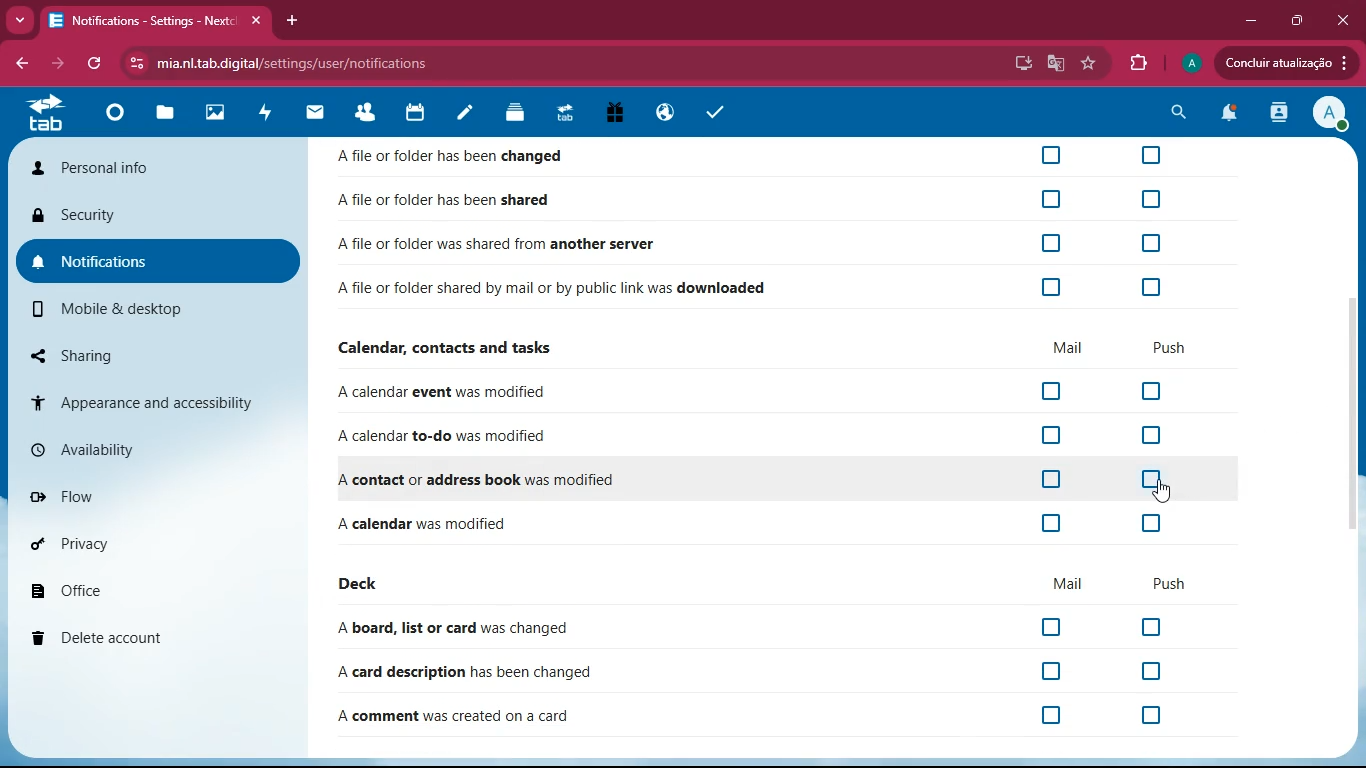 The width and height of the screenshot is (1366, 768). Describe the element at coordinates (289, 20) in the screenshot. I see `add tab` at that location.